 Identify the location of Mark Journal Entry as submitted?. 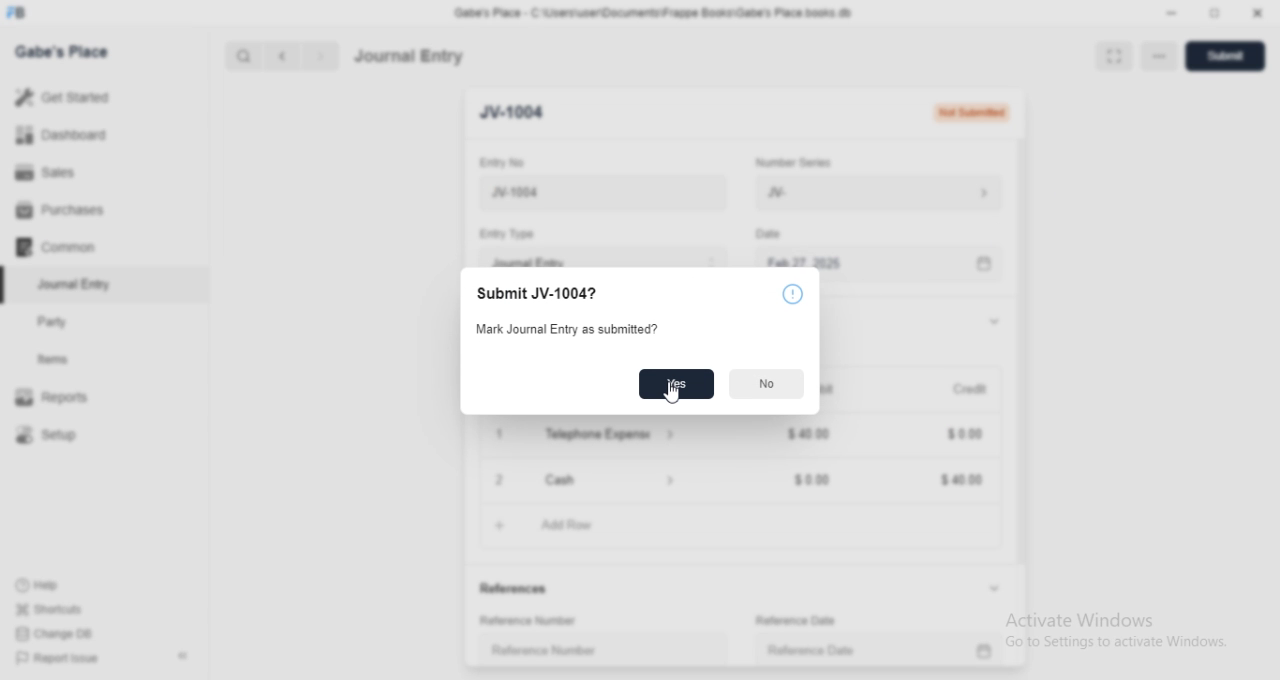
(567, 329).